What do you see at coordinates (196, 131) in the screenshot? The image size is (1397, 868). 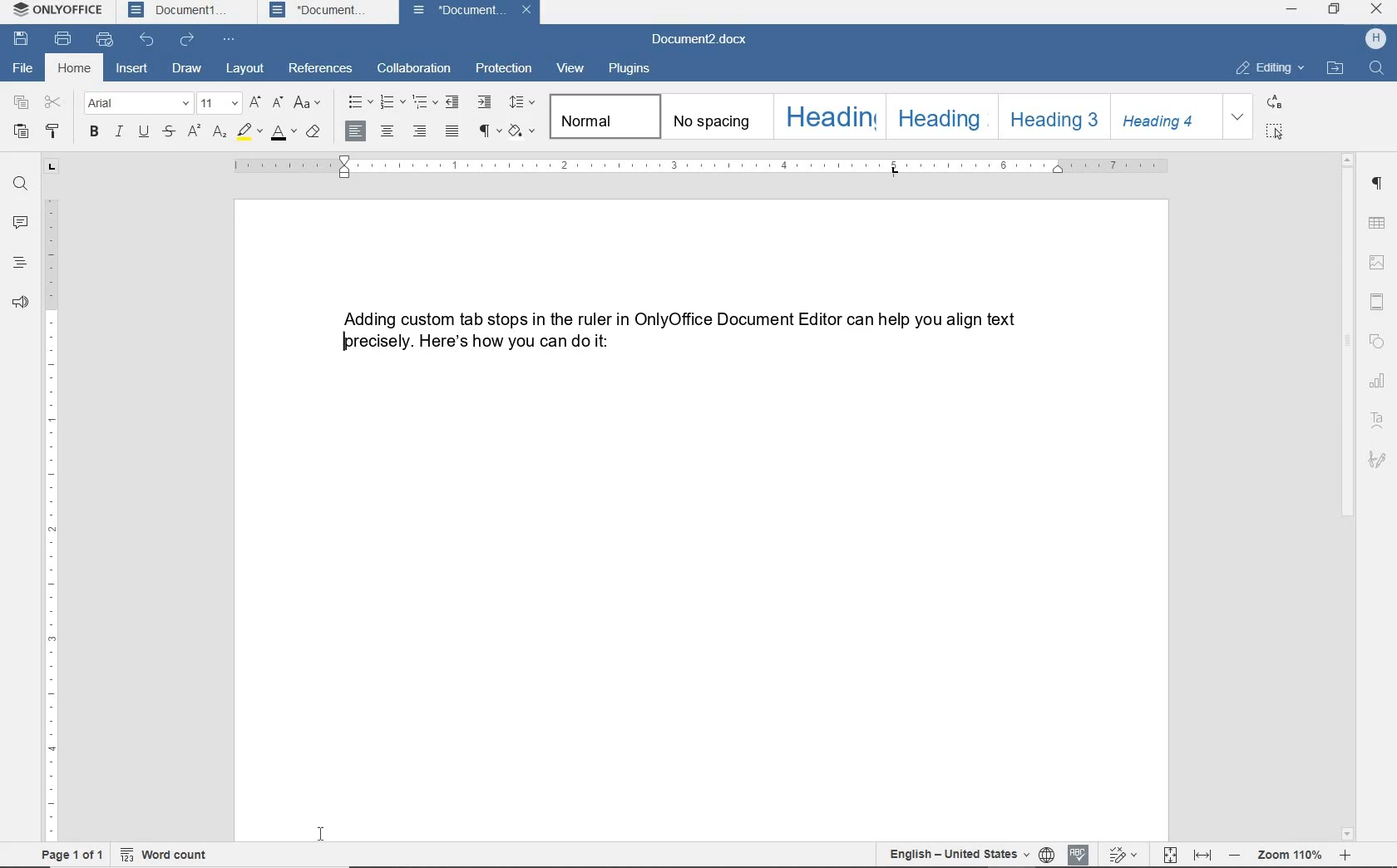 I see `superscript` at bounding box center [196, 131].